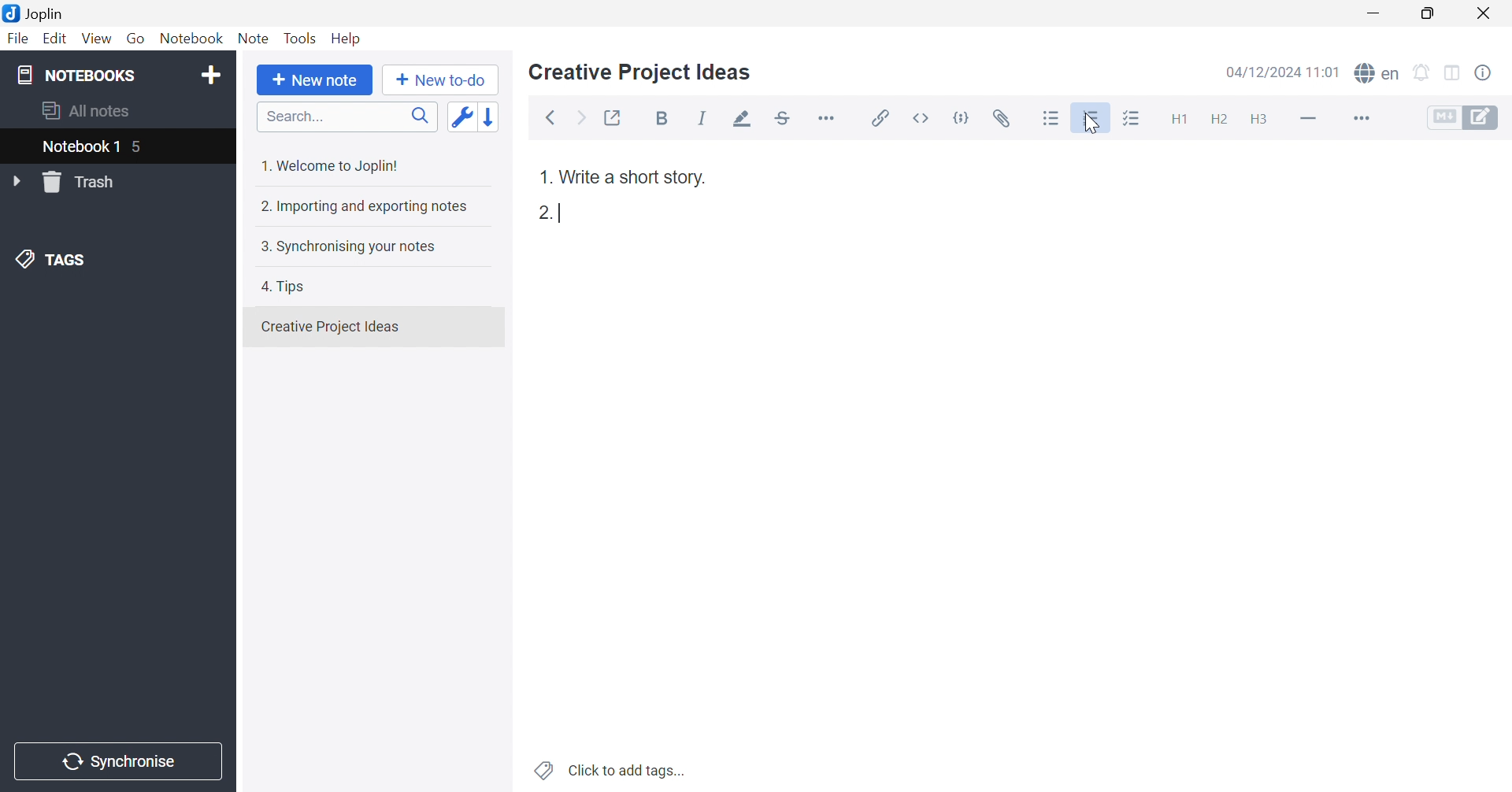  I want to click on Cursor, so click(1095, 124).